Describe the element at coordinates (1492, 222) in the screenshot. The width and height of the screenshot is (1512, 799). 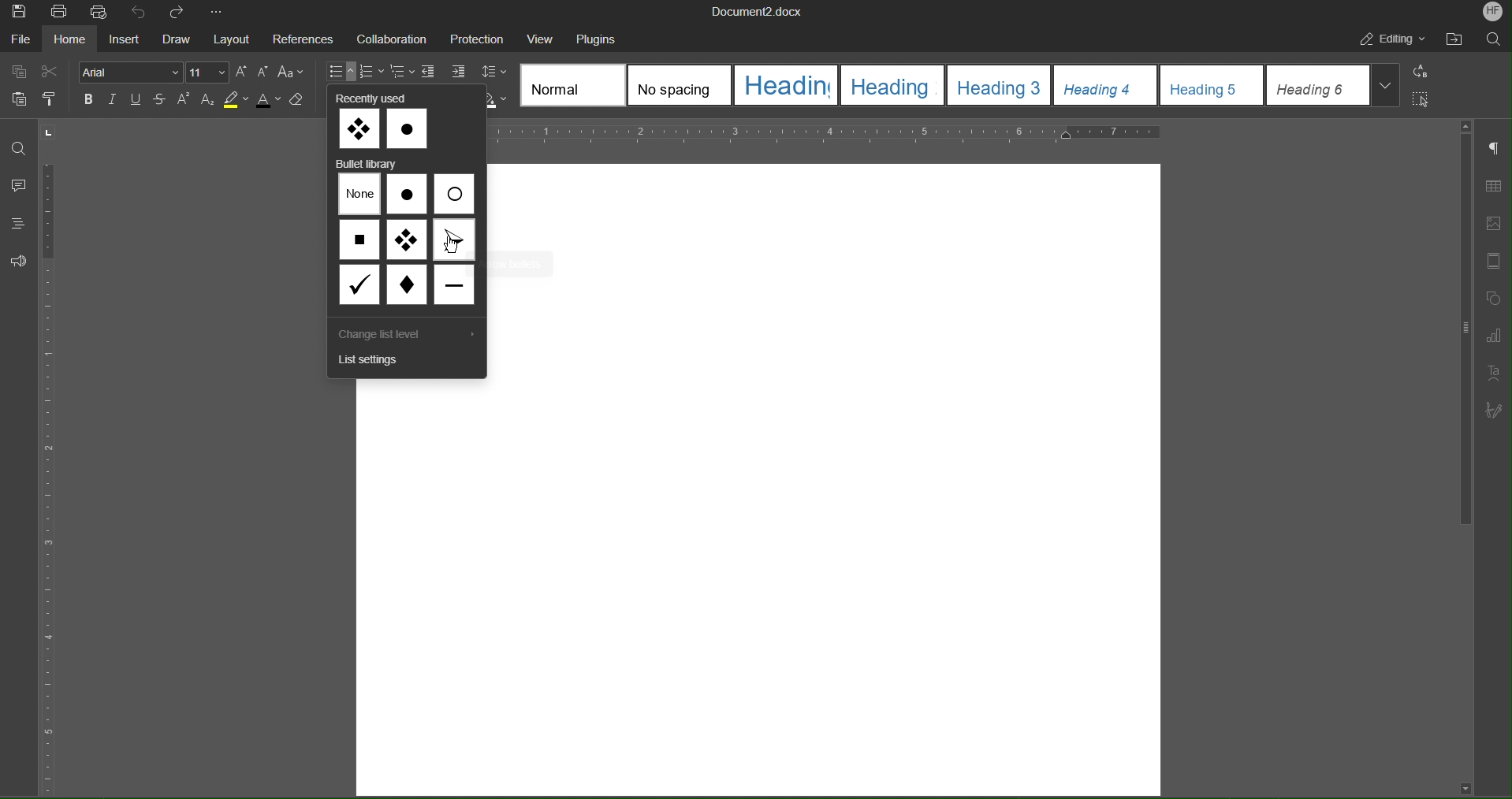
I see `Image Settings` at that location.